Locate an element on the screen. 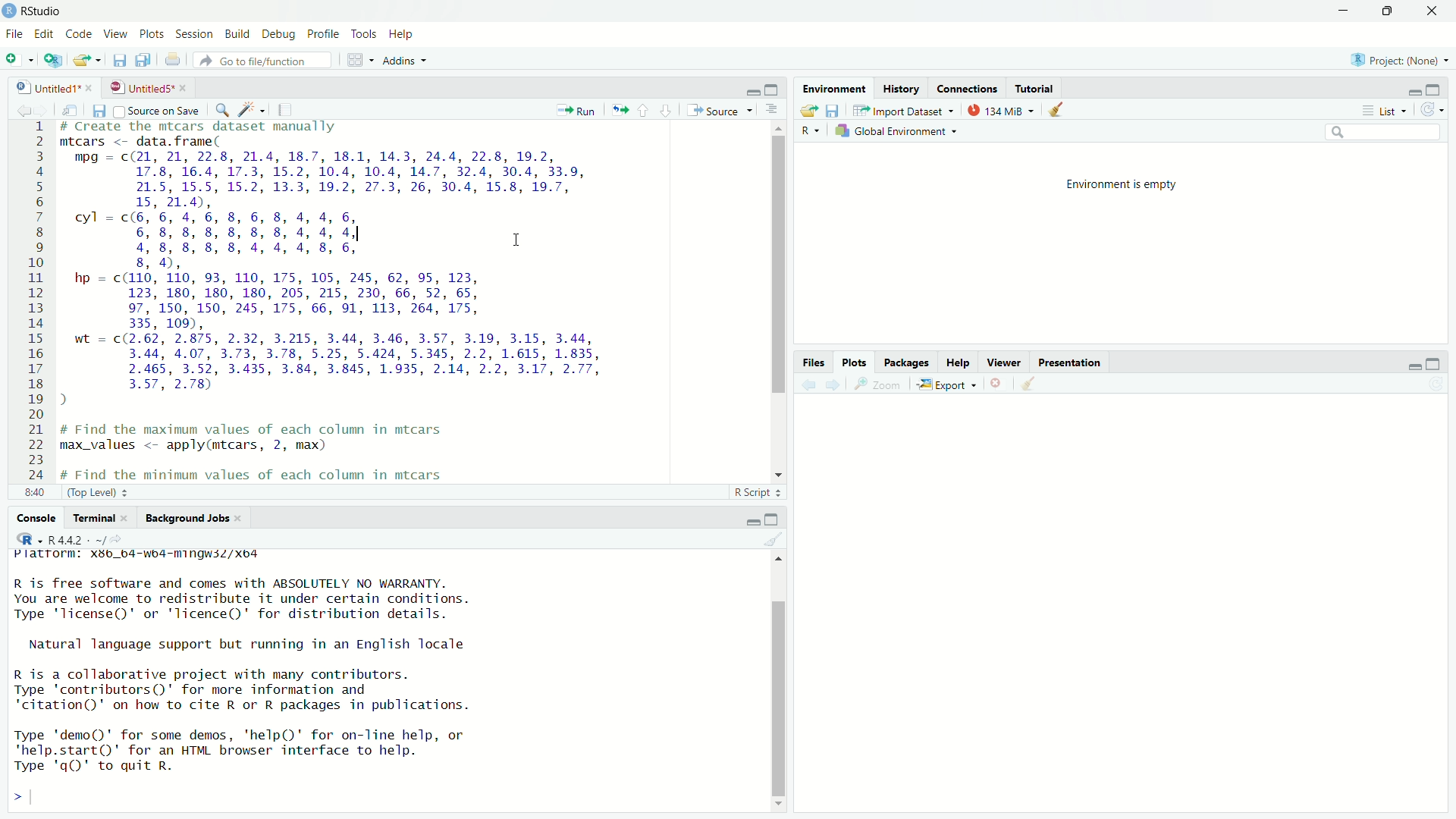 Image resolution: width=1456 pixels, height=819 pixels.  is located at coordinates (808, 362).